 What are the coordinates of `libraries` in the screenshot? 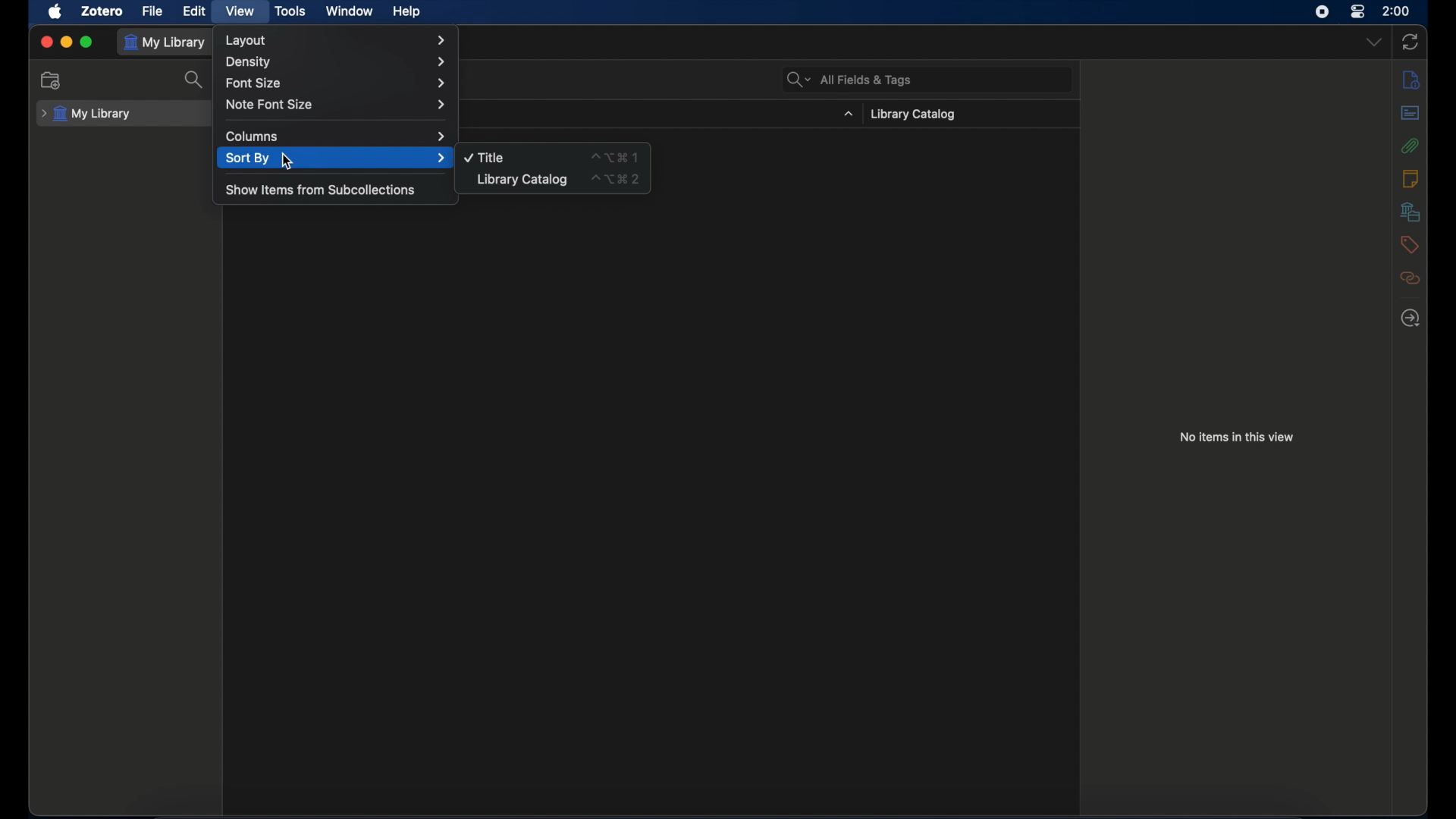 It's located at (1411, 213).